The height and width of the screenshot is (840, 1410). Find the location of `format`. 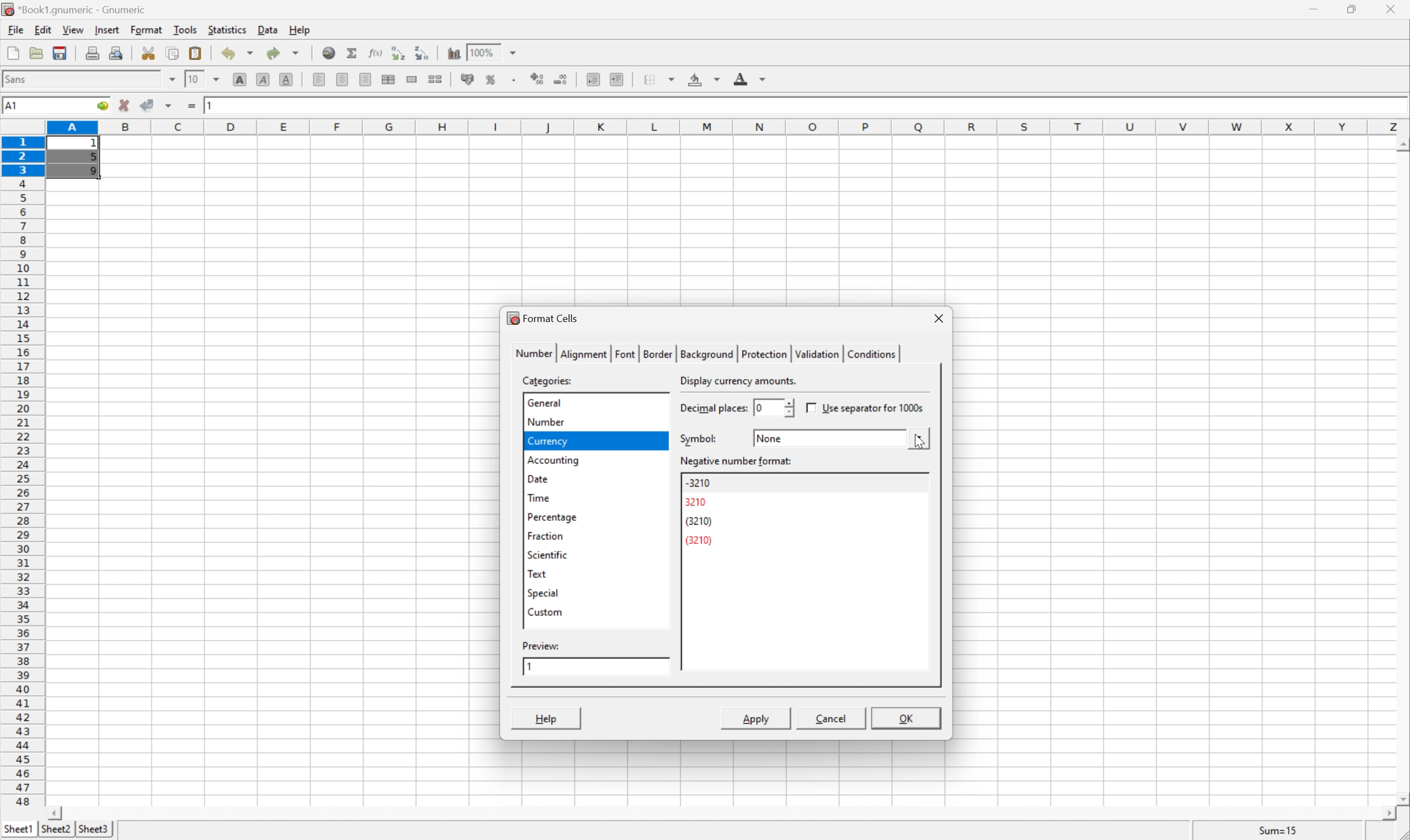

format is located at coordinates (148, 29).